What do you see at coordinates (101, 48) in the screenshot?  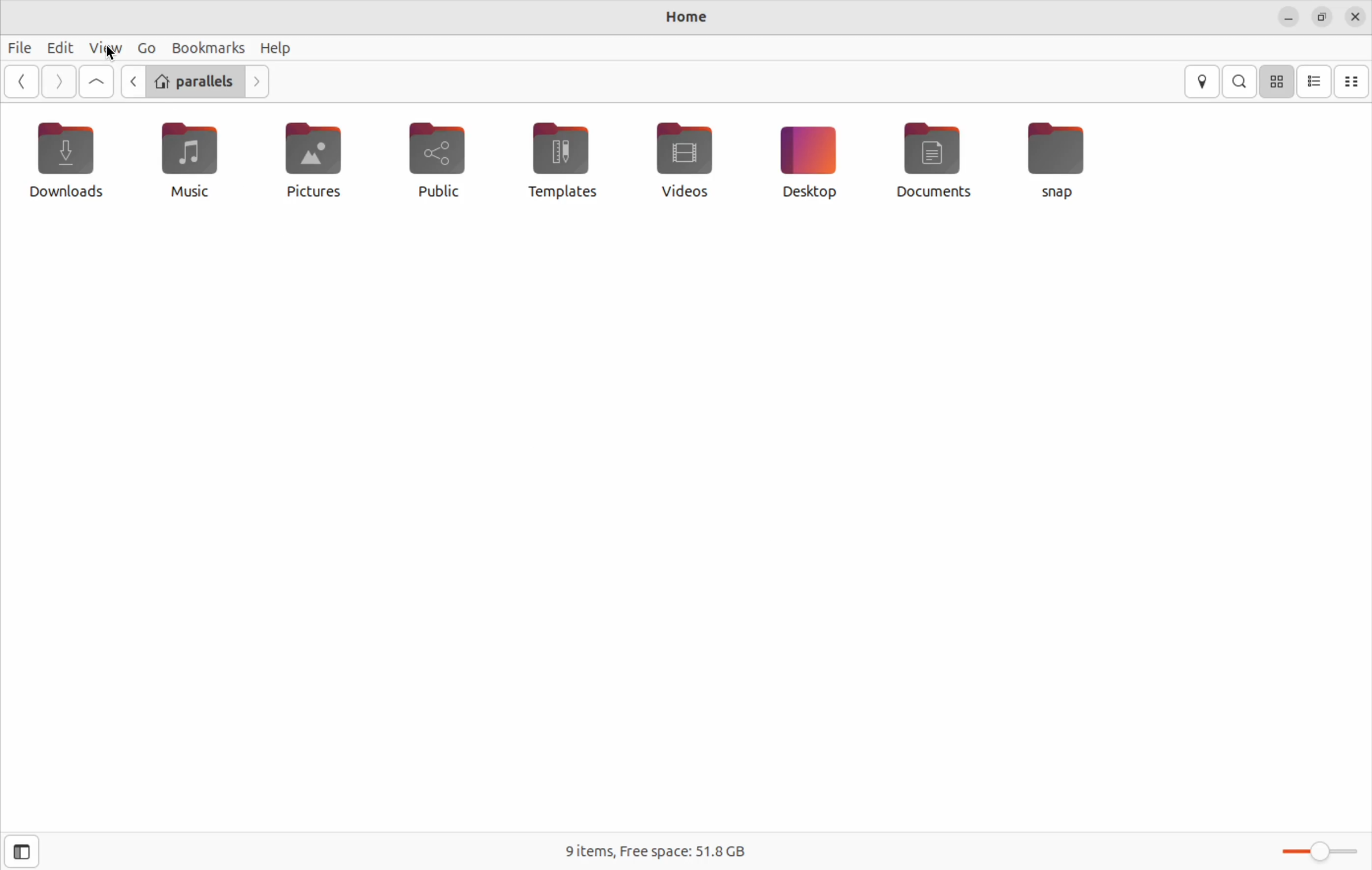 I see `view` at bounding box center [101, 48].